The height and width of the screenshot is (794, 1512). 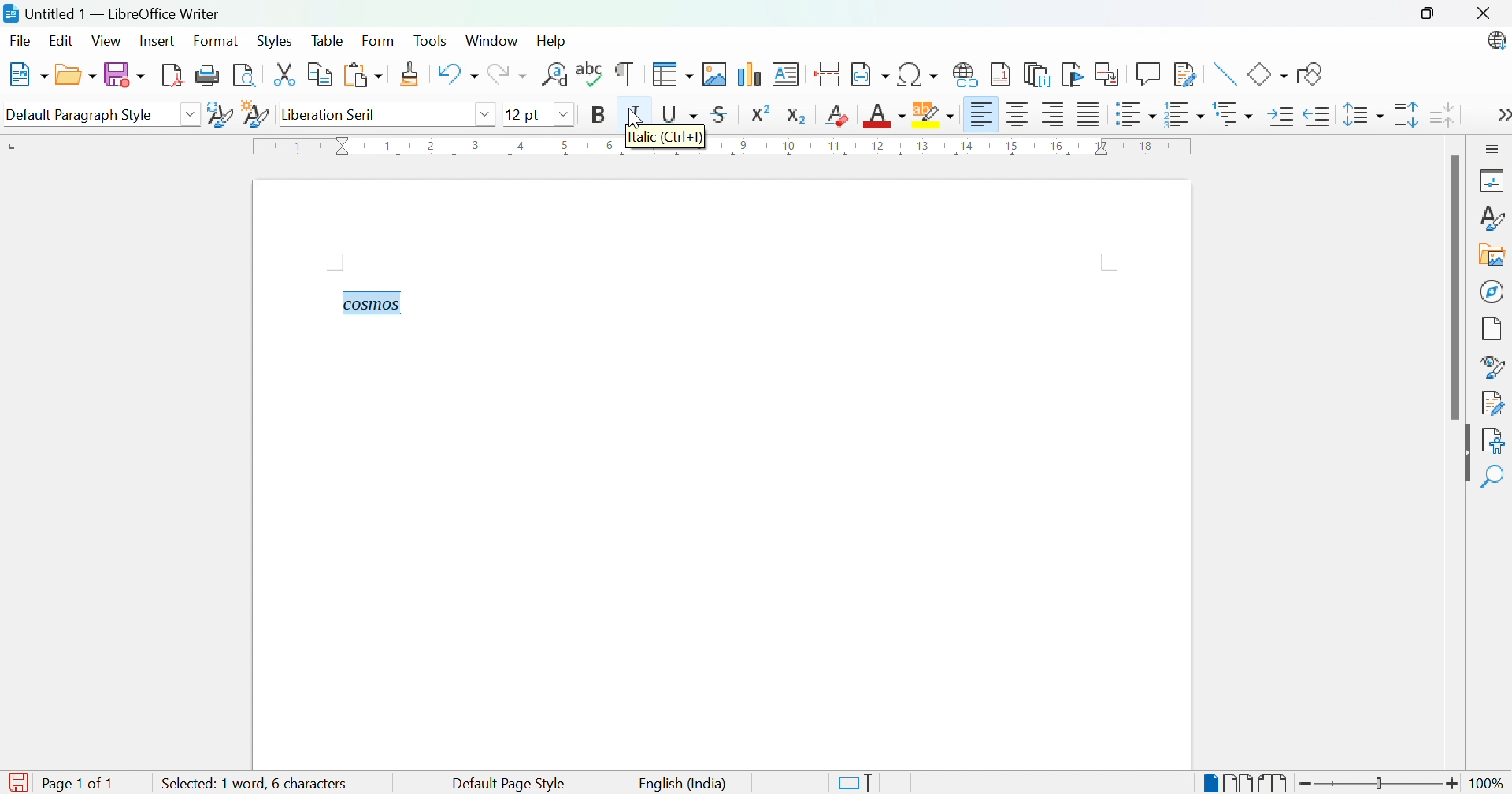 I want to click on Copy, so click(x=324, y=75).